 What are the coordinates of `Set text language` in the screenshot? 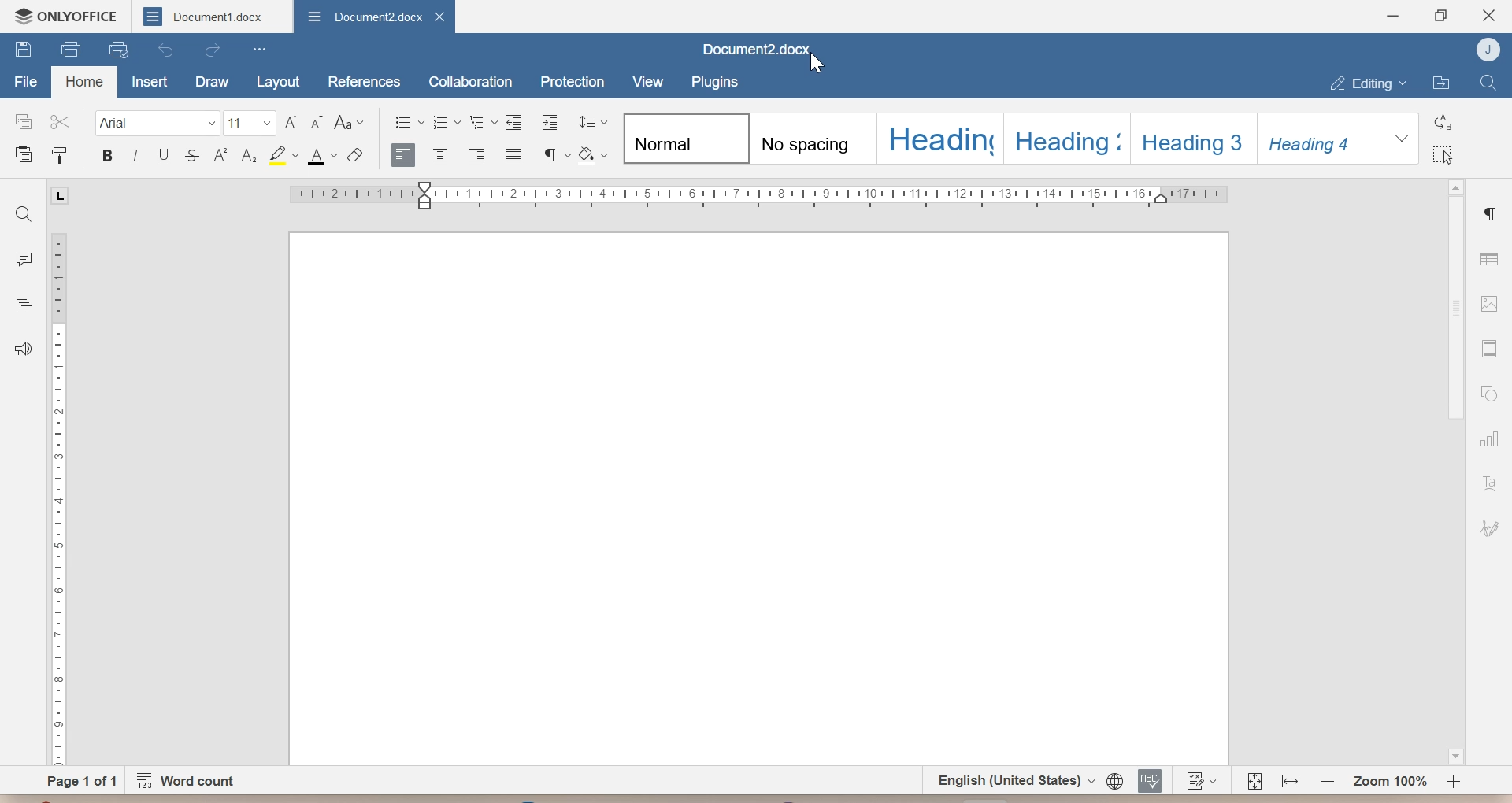 It's located at (1010, 779).